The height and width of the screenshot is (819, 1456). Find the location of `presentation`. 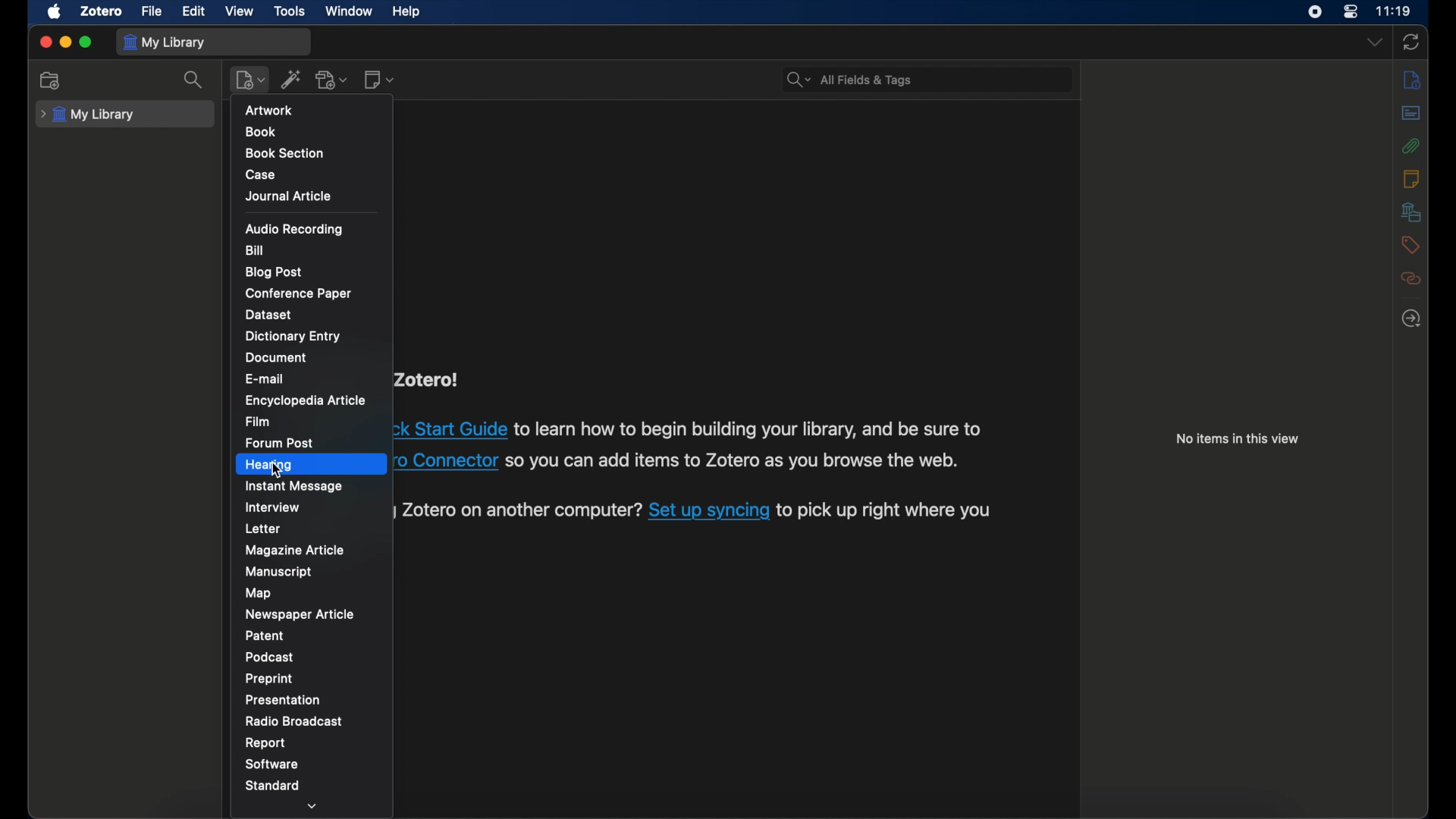

presentation is located at coordinates (283, 699).